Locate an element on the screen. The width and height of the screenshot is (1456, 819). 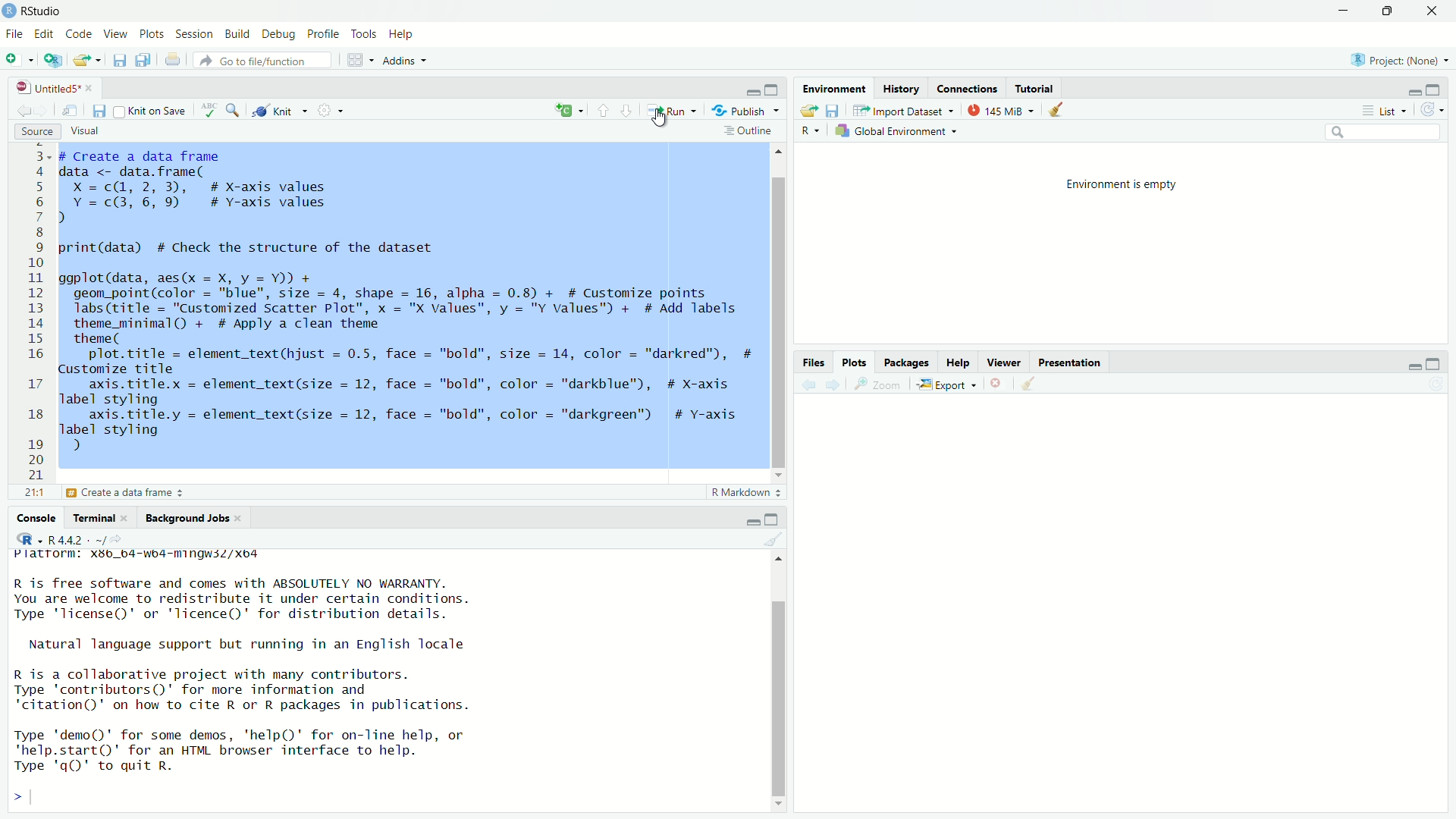
Edit is located at coordinates (45, 36).